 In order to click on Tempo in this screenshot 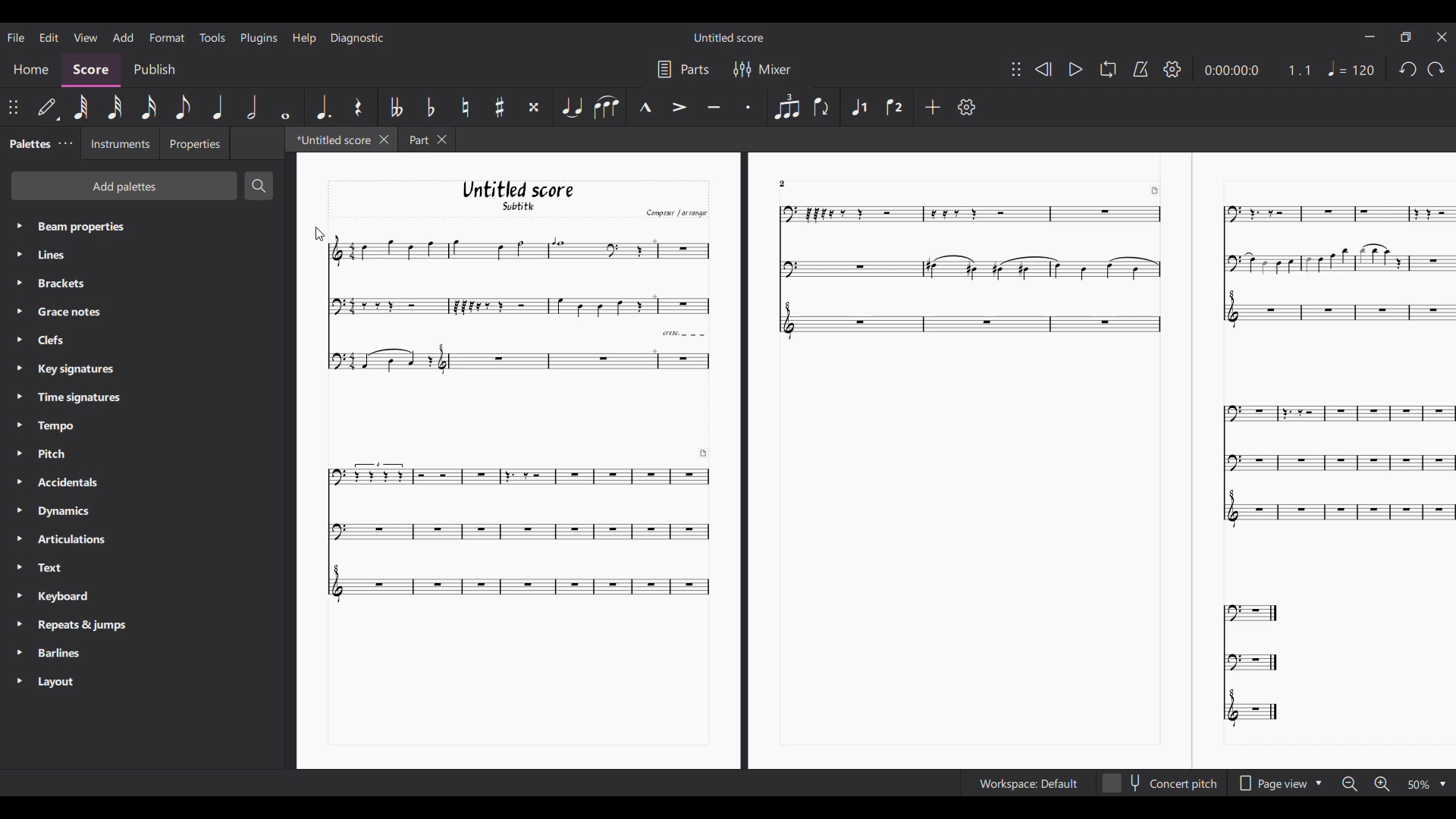, I will do `click(67, 424)`.